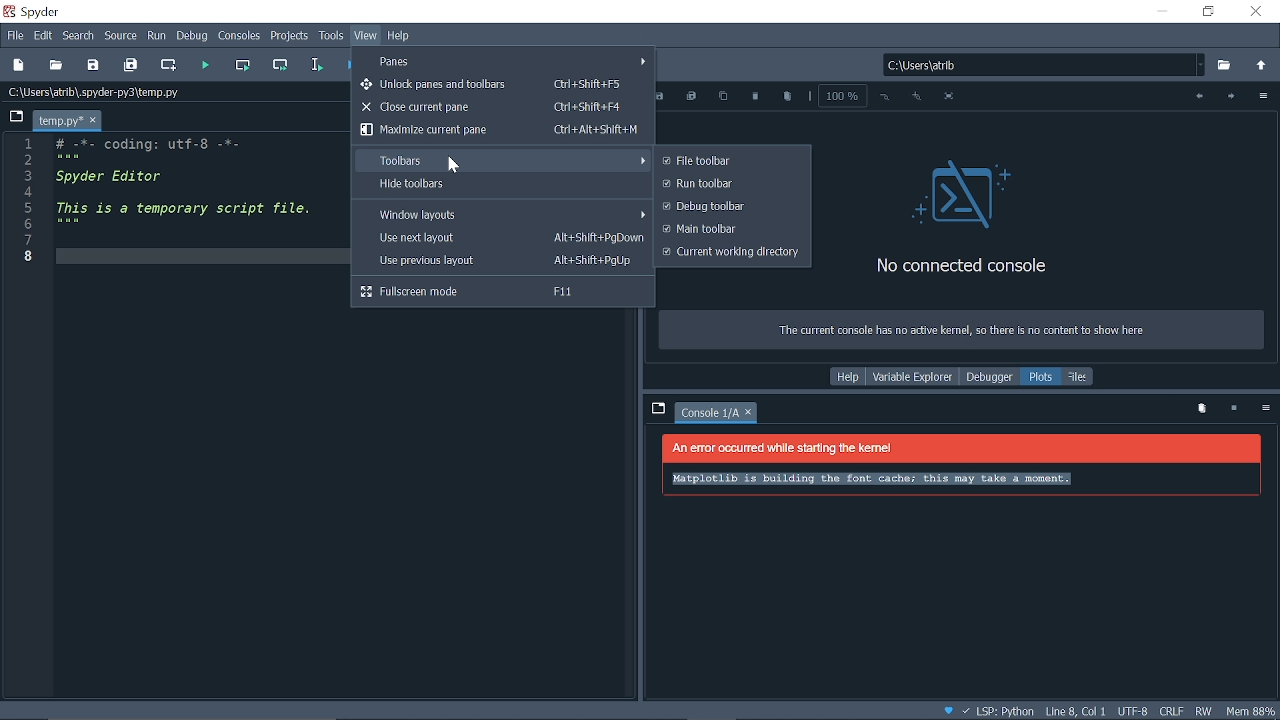 Image resolution: width=1280 pixels, height=720 pixels. What do you see at coordinates (36, 11) in the screenshot?
I see `Current window` at bounding box center [36, 11].